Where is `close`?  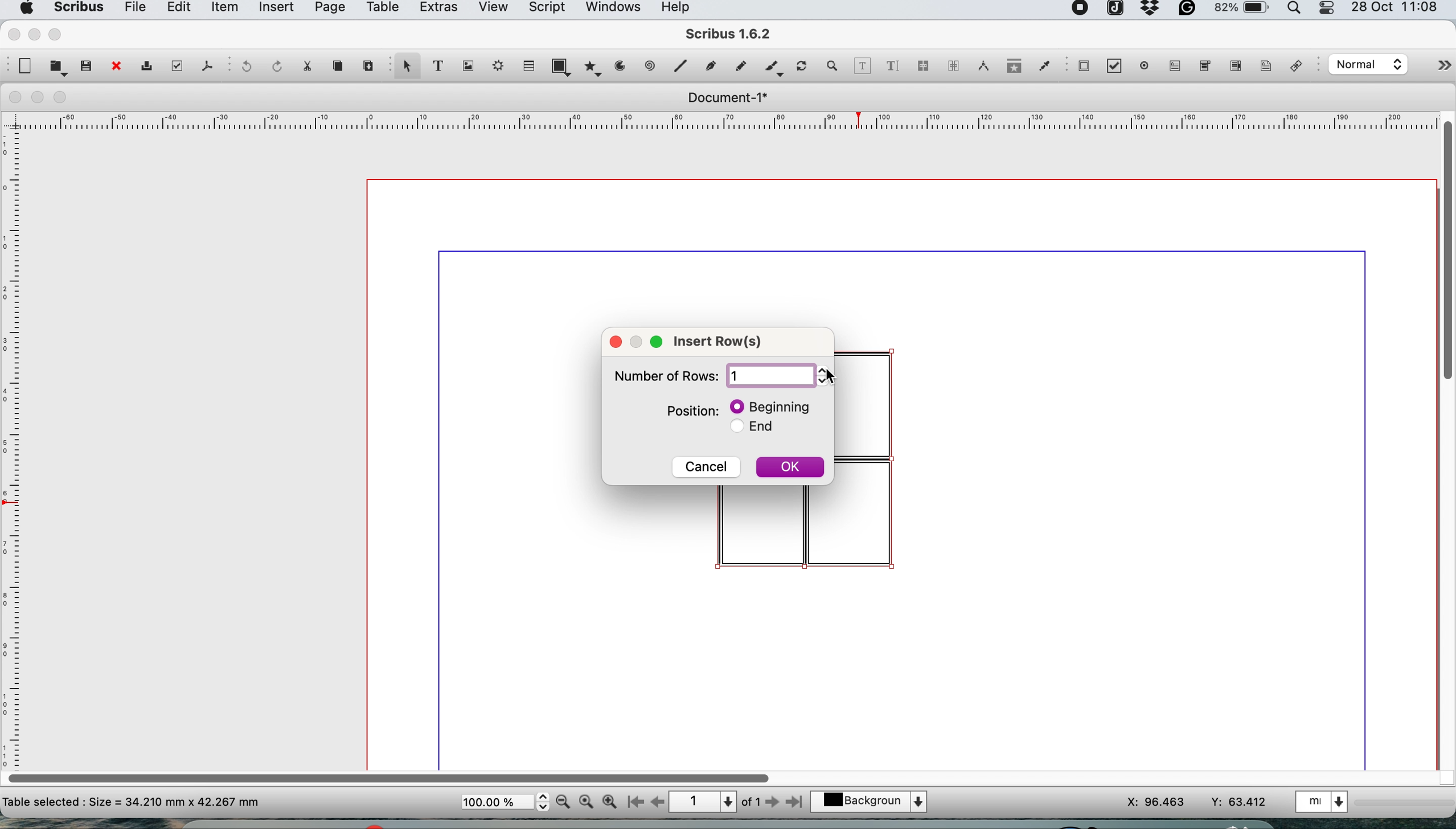
close is located at coordinates (13, 97).